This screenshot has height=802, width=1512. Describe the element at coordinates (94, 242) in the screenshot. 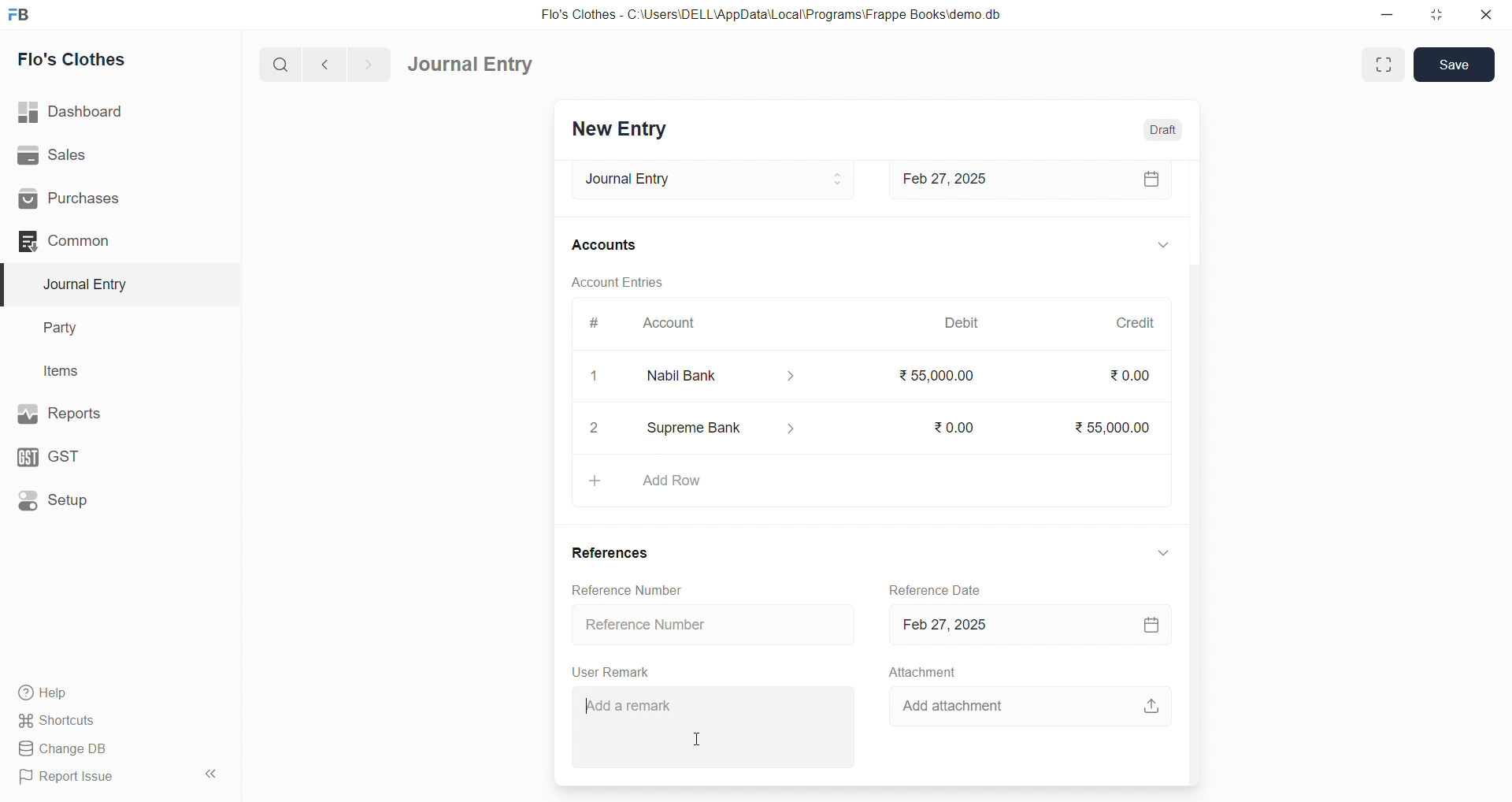

I see `Common` at that location.